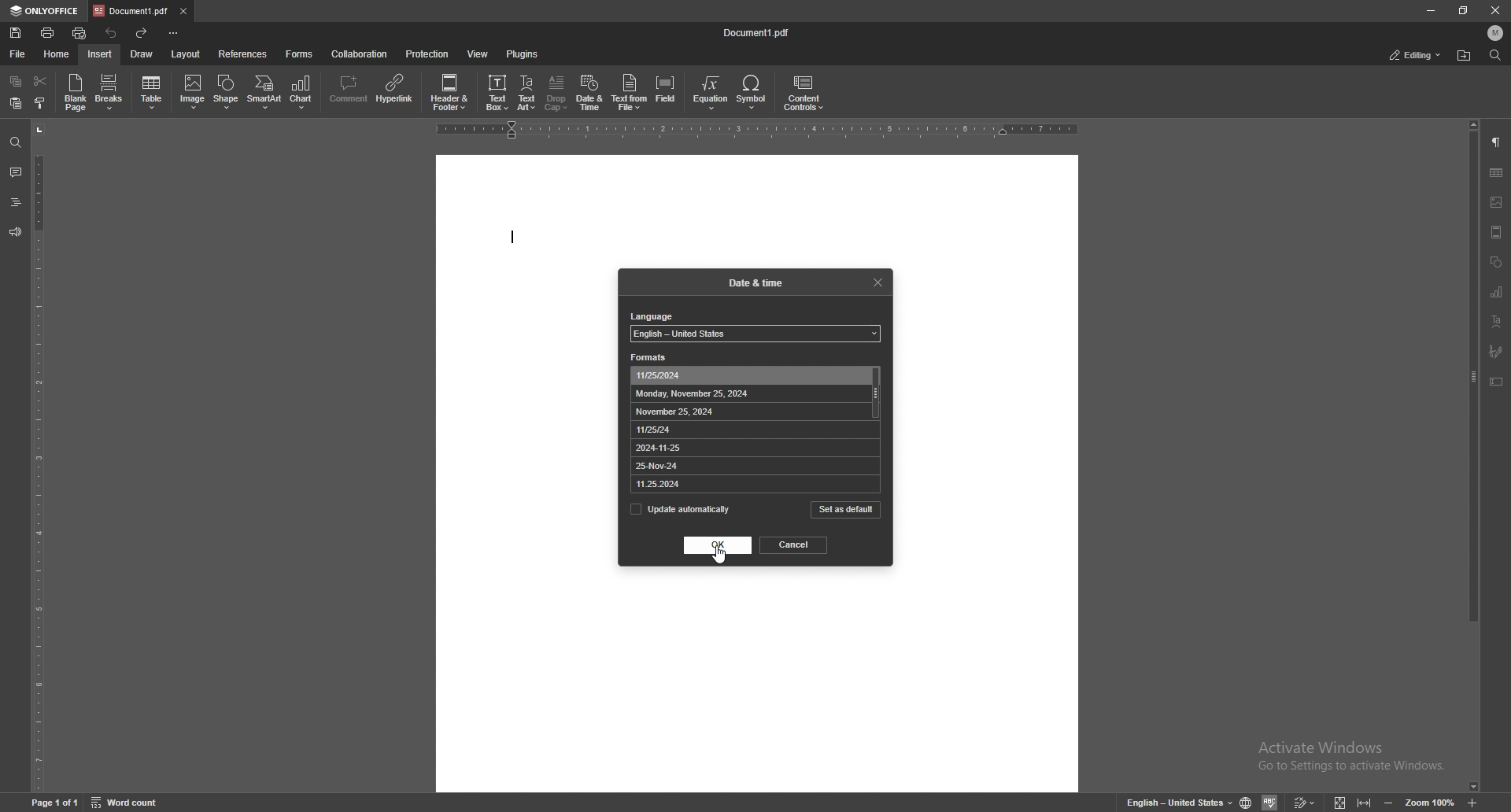 The image size is (1511, 812). I want to click on hyperlink, so click(395, 90).